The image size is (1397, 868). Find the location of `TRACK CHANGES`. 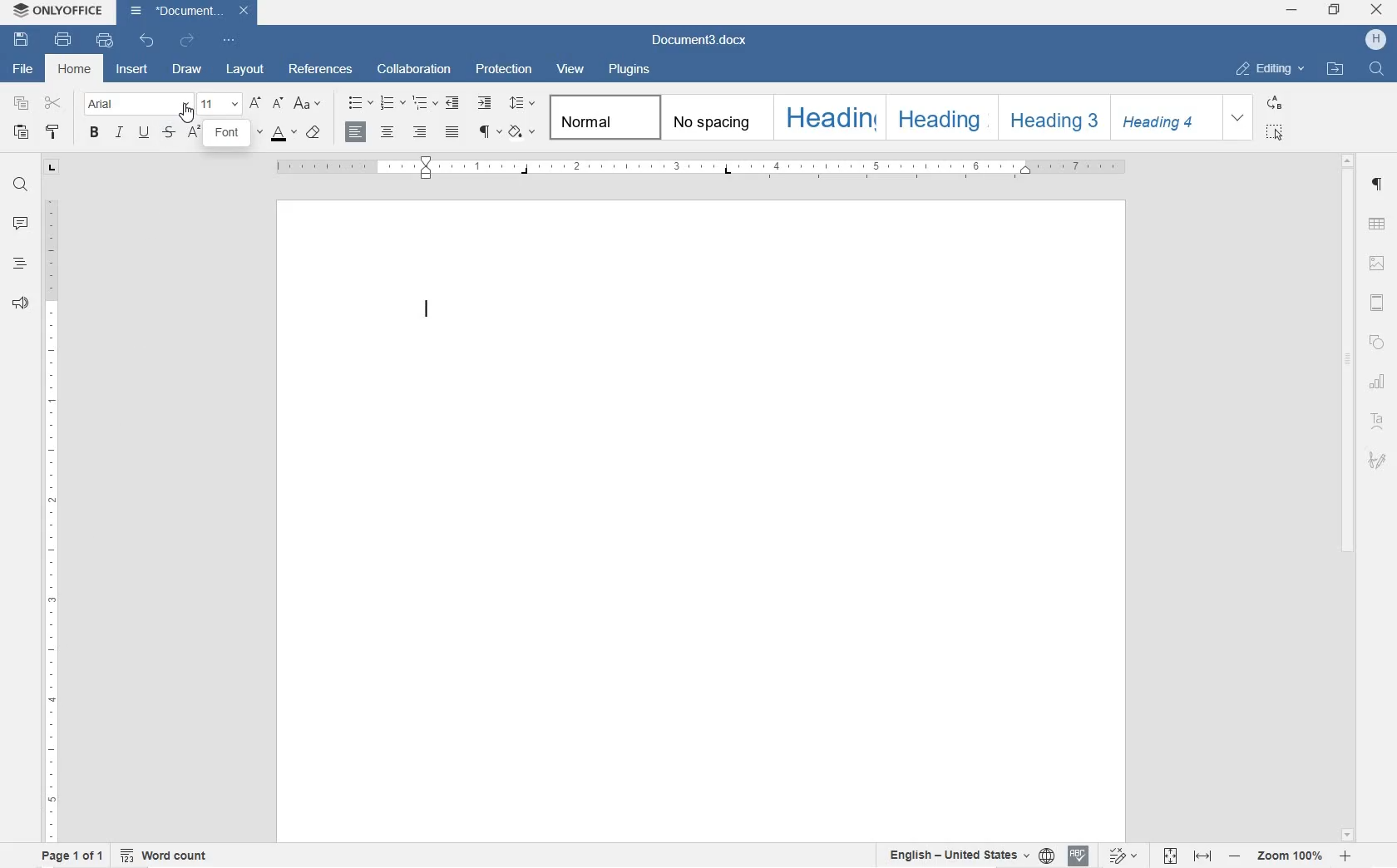

TRACK CHANGES is located at coordinates (1125, 855).